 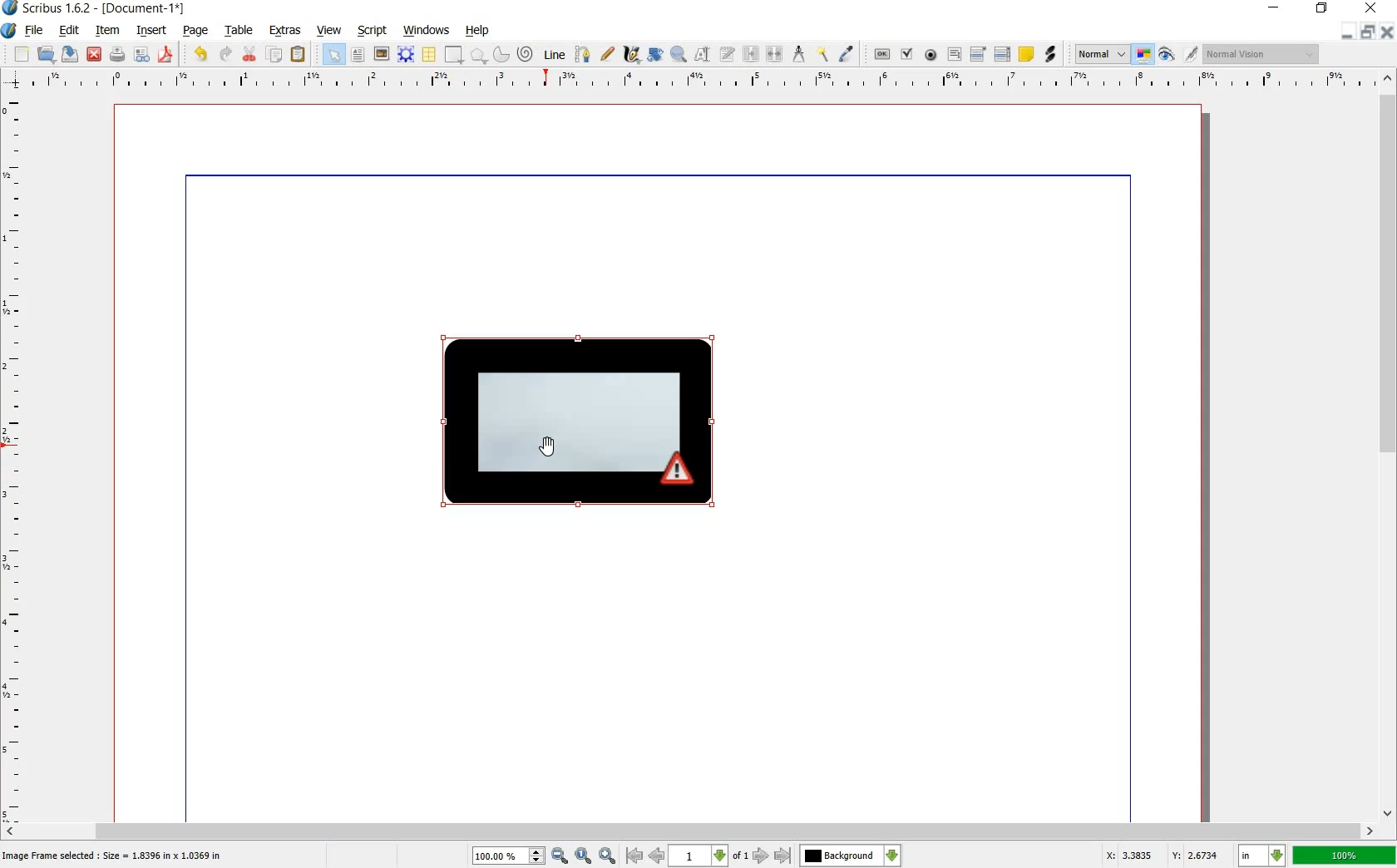 What do you see at coordinates (478, 32) in the screenshot?
I see `help` at bounding box center [478, 32].